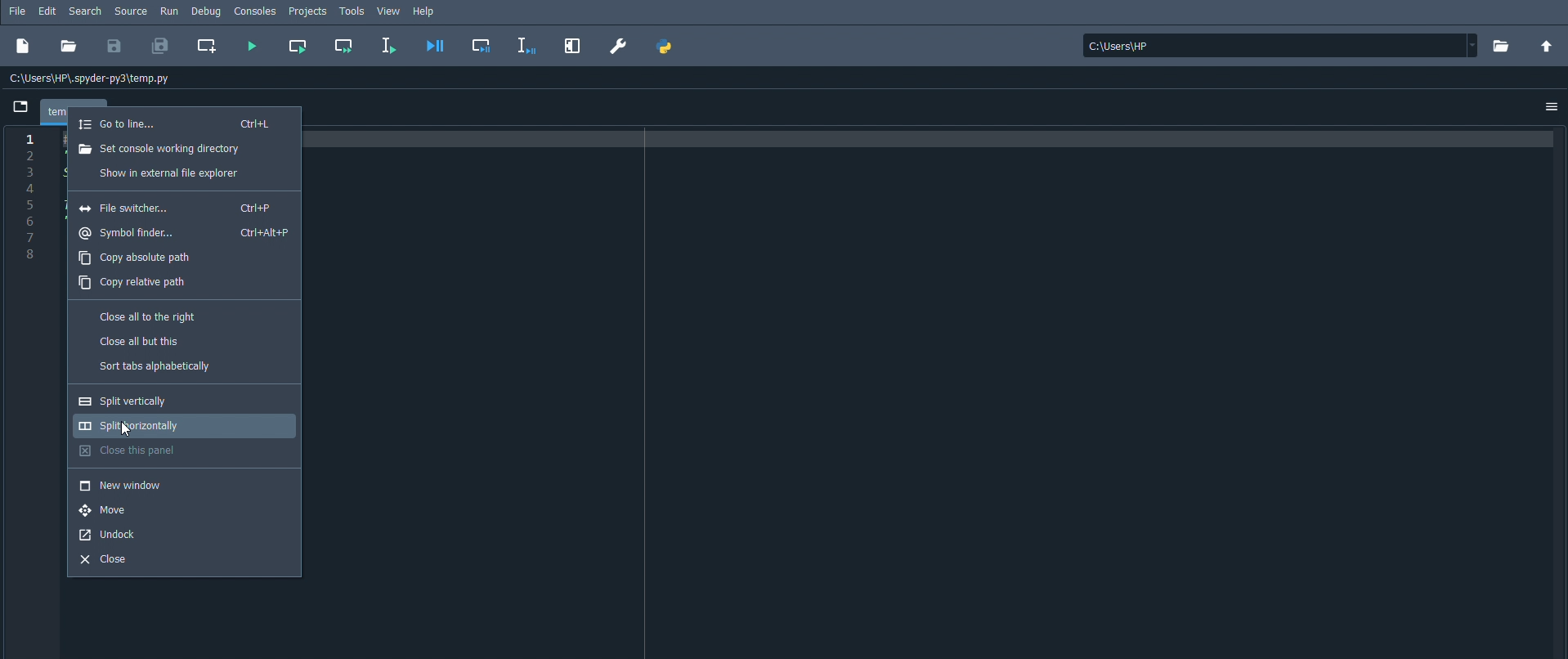  Describe the element at coordinates (208, 47) in the screenshot. I see `Create new cell at the current line` at that location.